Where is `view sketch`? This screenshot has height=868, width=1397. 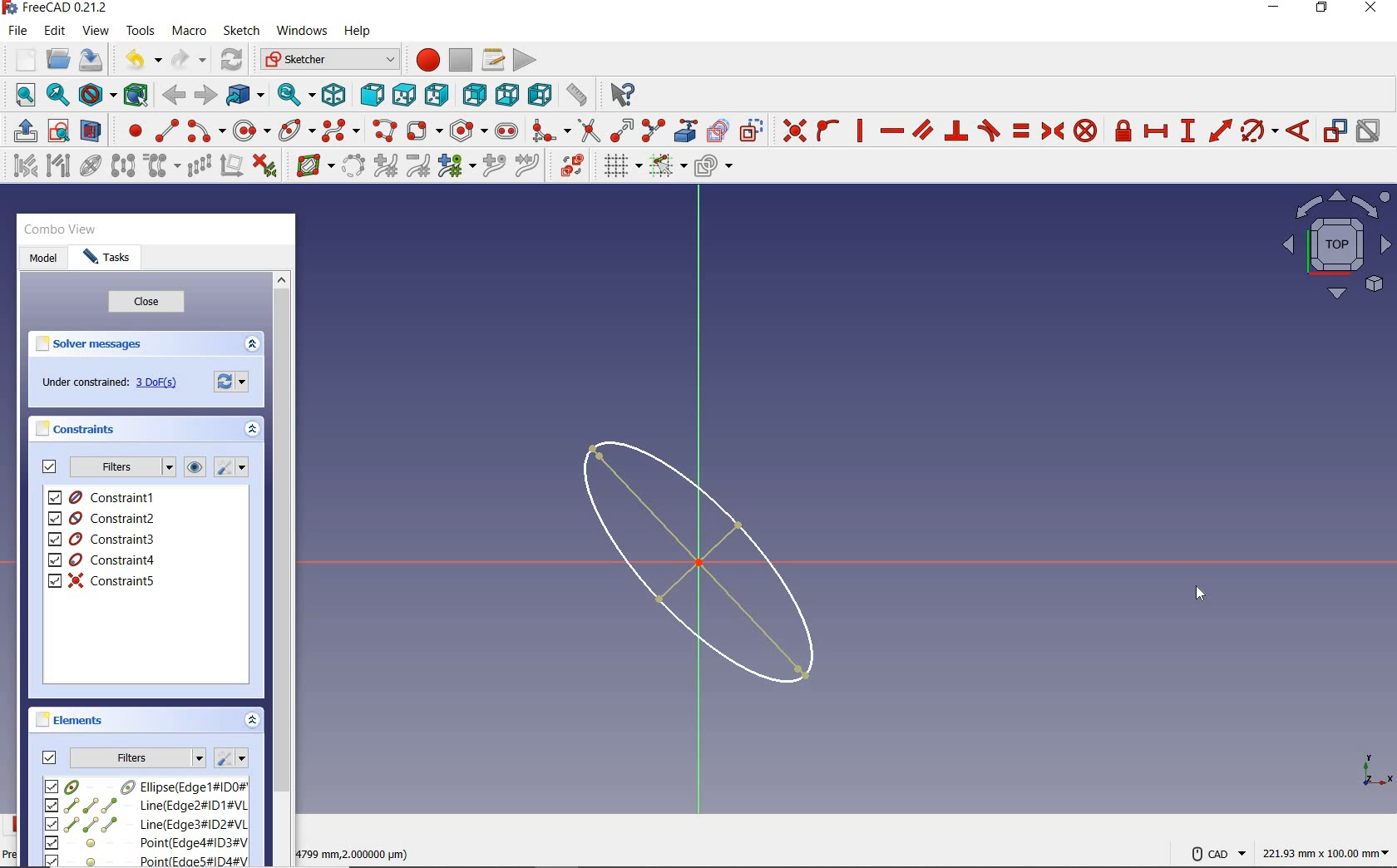
view sketch is located at coordinates (60, 129).